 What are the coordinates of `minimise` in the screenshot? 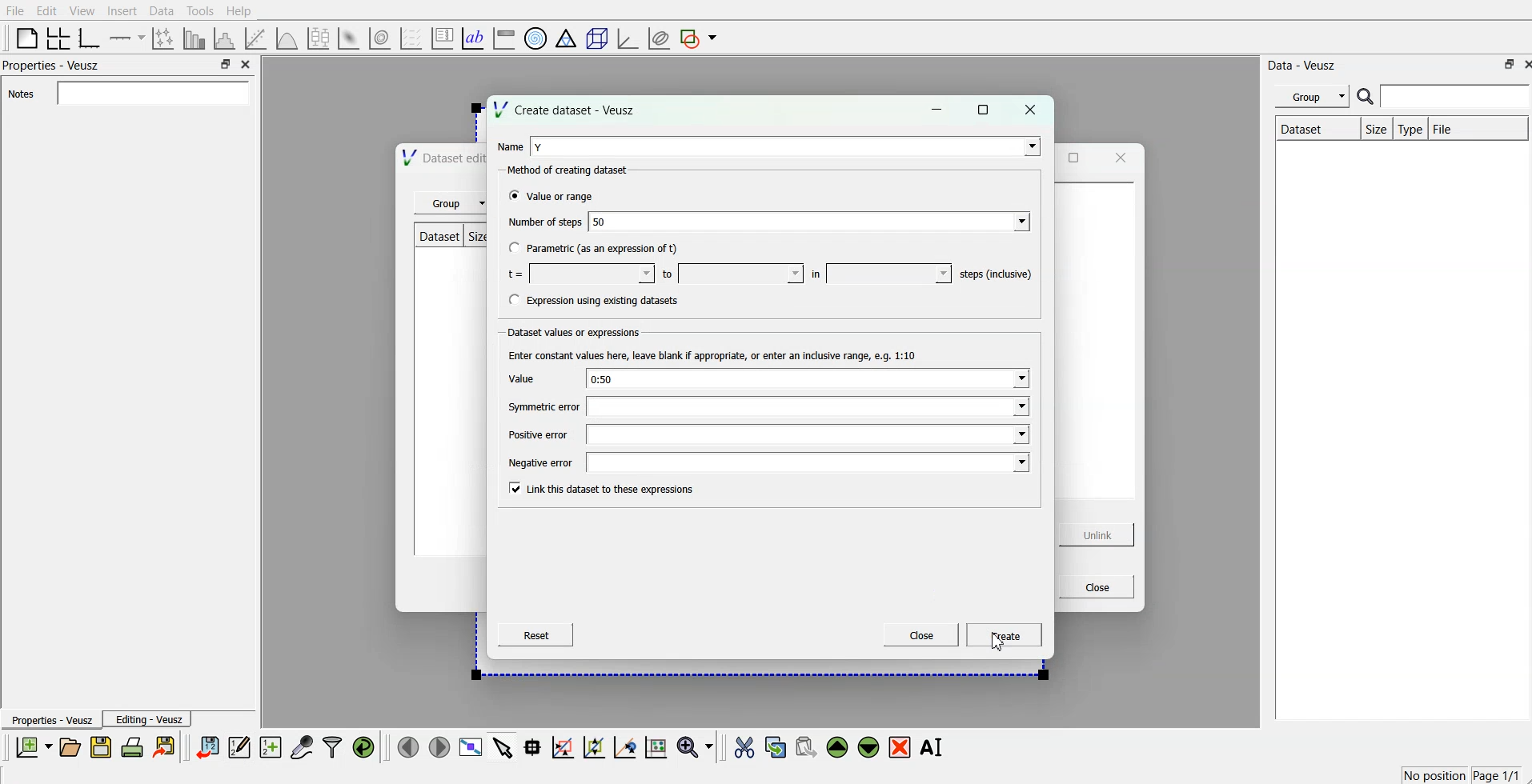 It's located at (1504, 64).